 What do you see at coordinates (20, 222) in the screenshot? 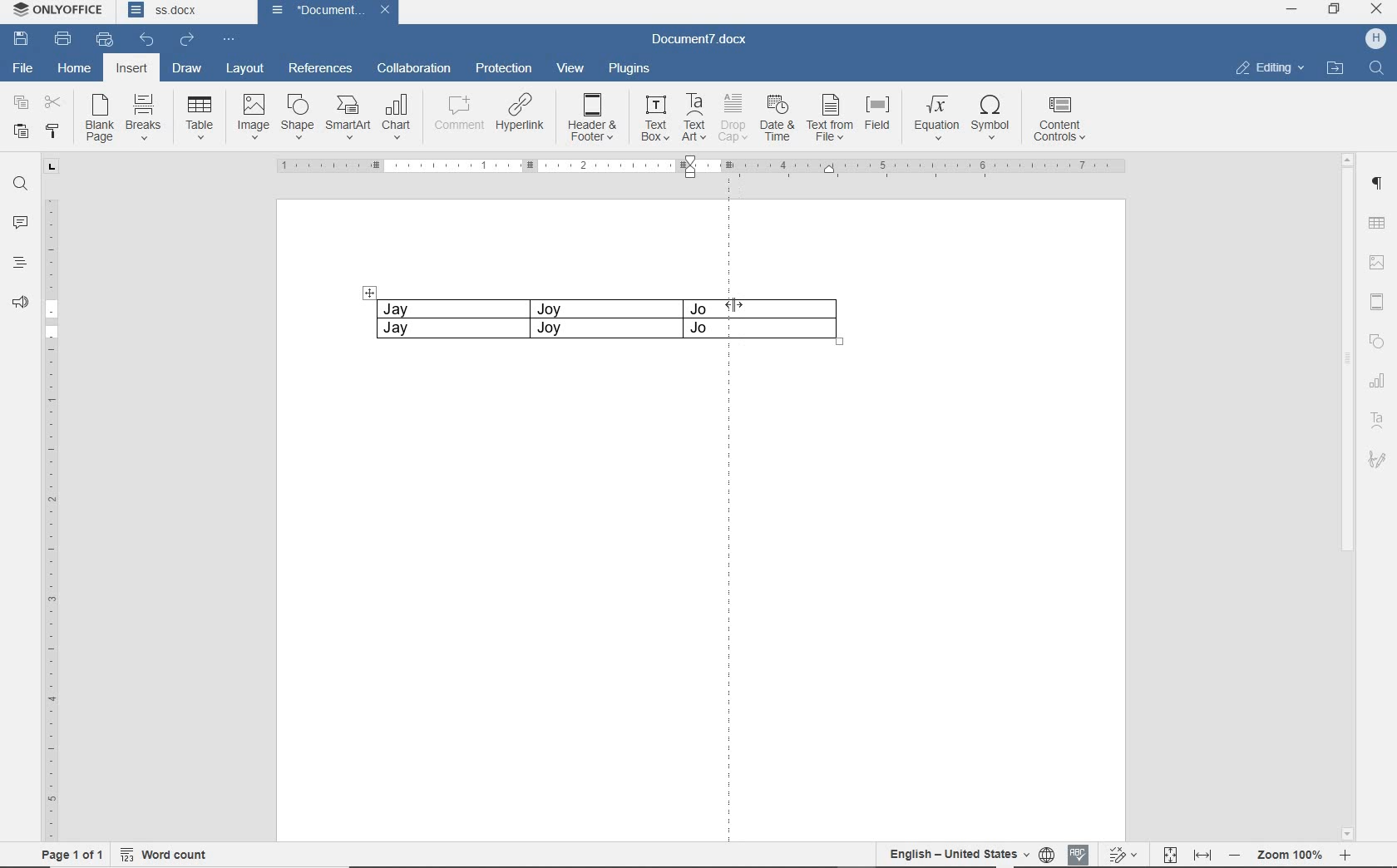
I see `COMMENTS` at bounding box center [20, 222].